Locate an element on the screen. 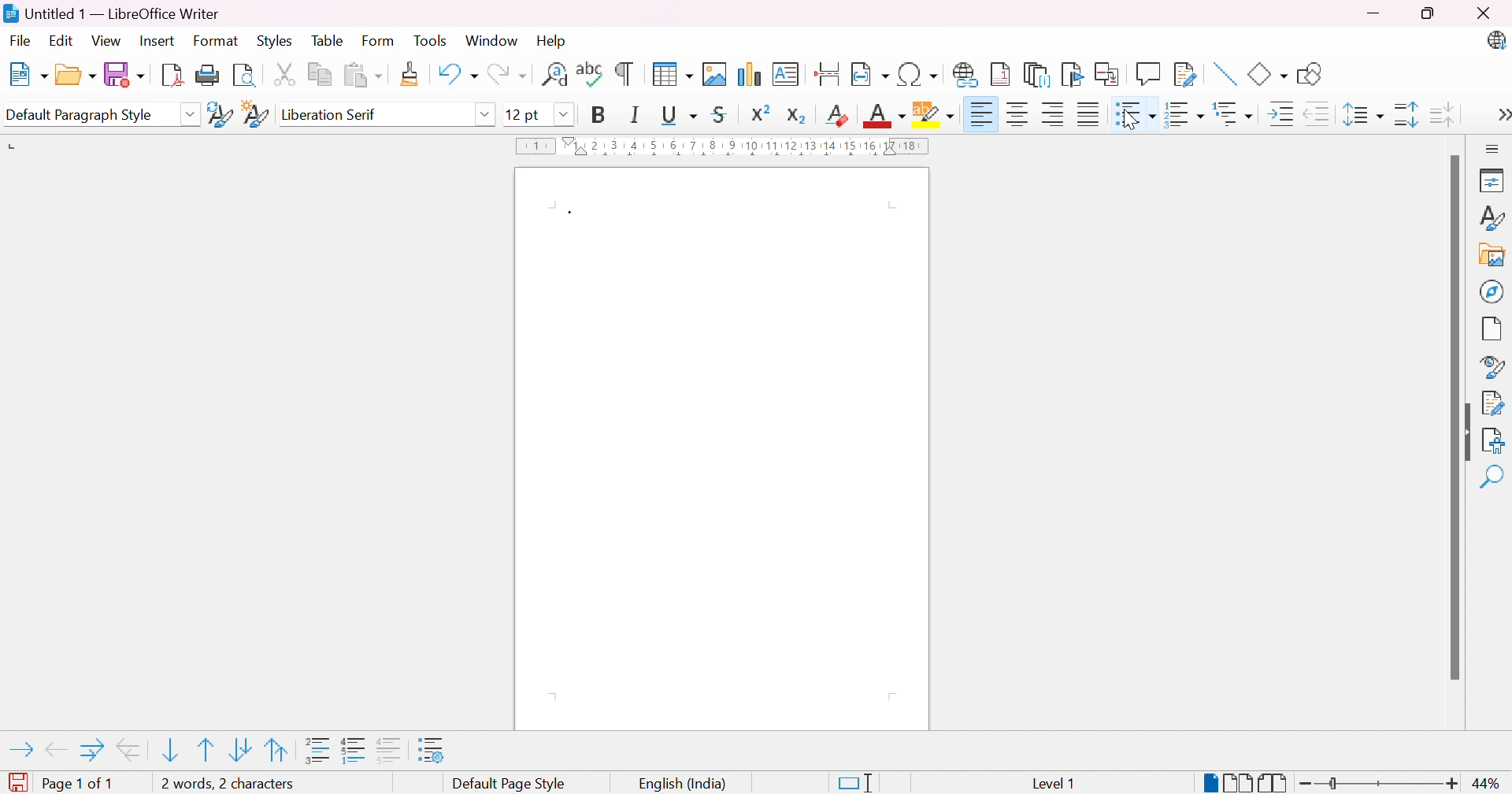 The image size is (1512, 794). Cut is located at coordinates (288, 76).